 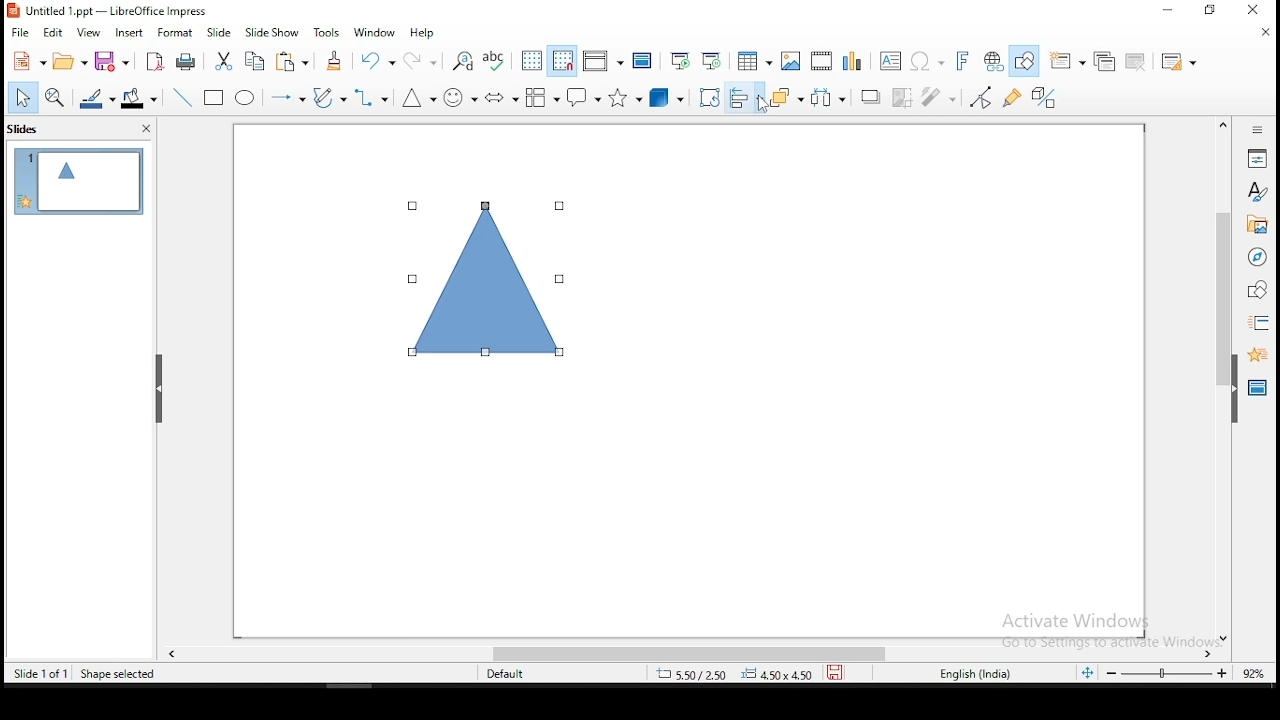 I want to click on flowchart, so click(x=543, y=97).